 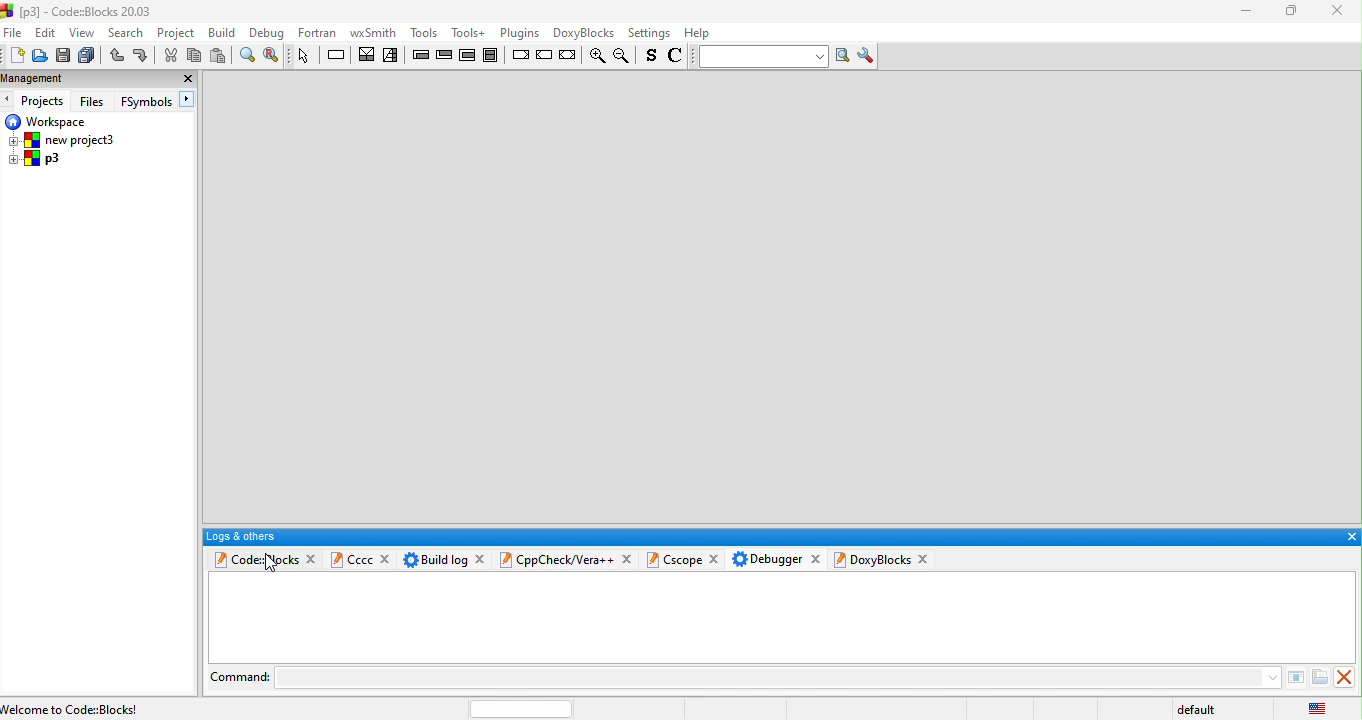 I want to click on settings, so click(x=650, y=34).